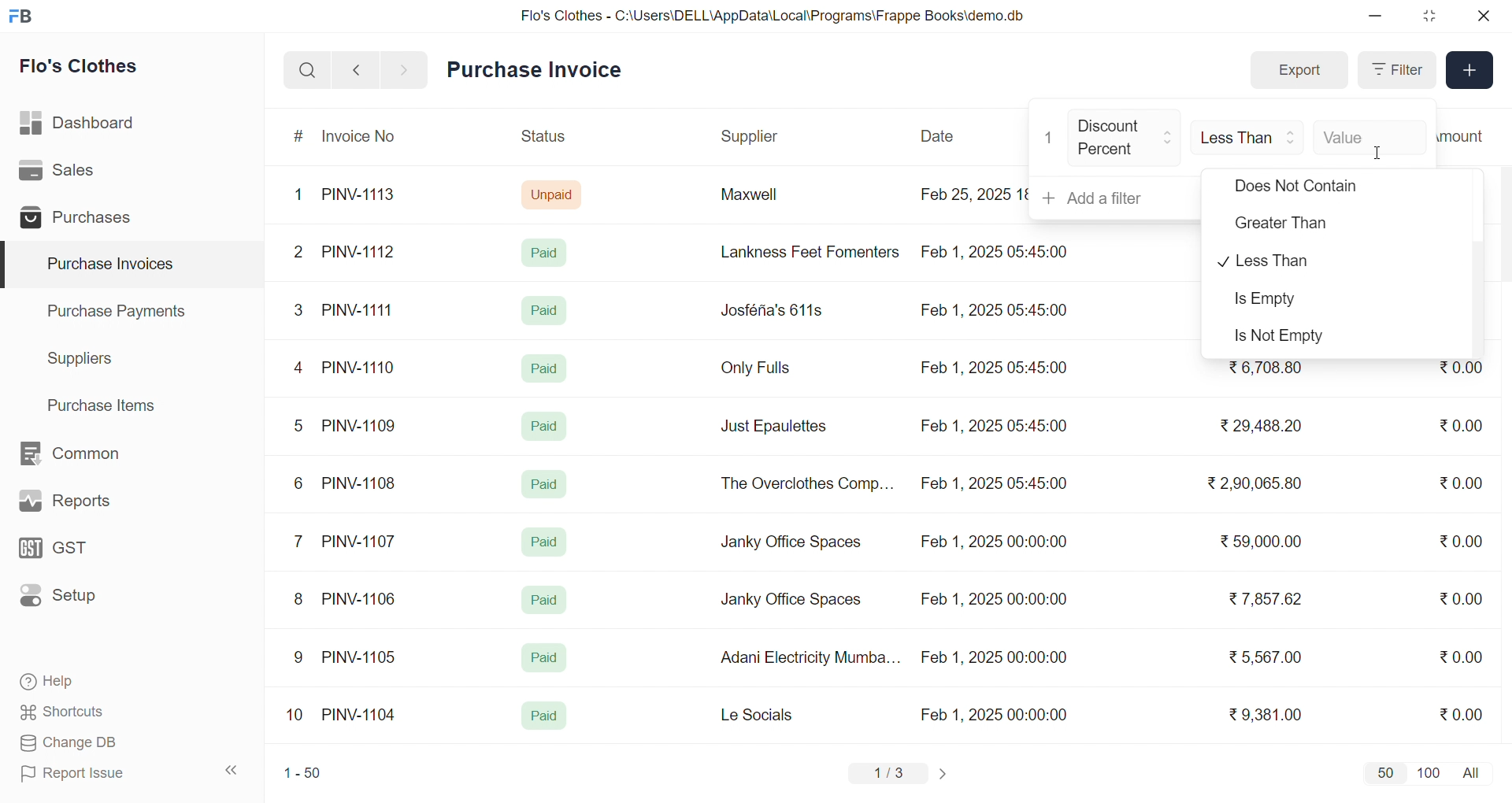 The height and width of the screenshot is (803, 1512). Describe the element at coordinates (362, 657) in the screenshot. I see `PINV-1105` at that location.